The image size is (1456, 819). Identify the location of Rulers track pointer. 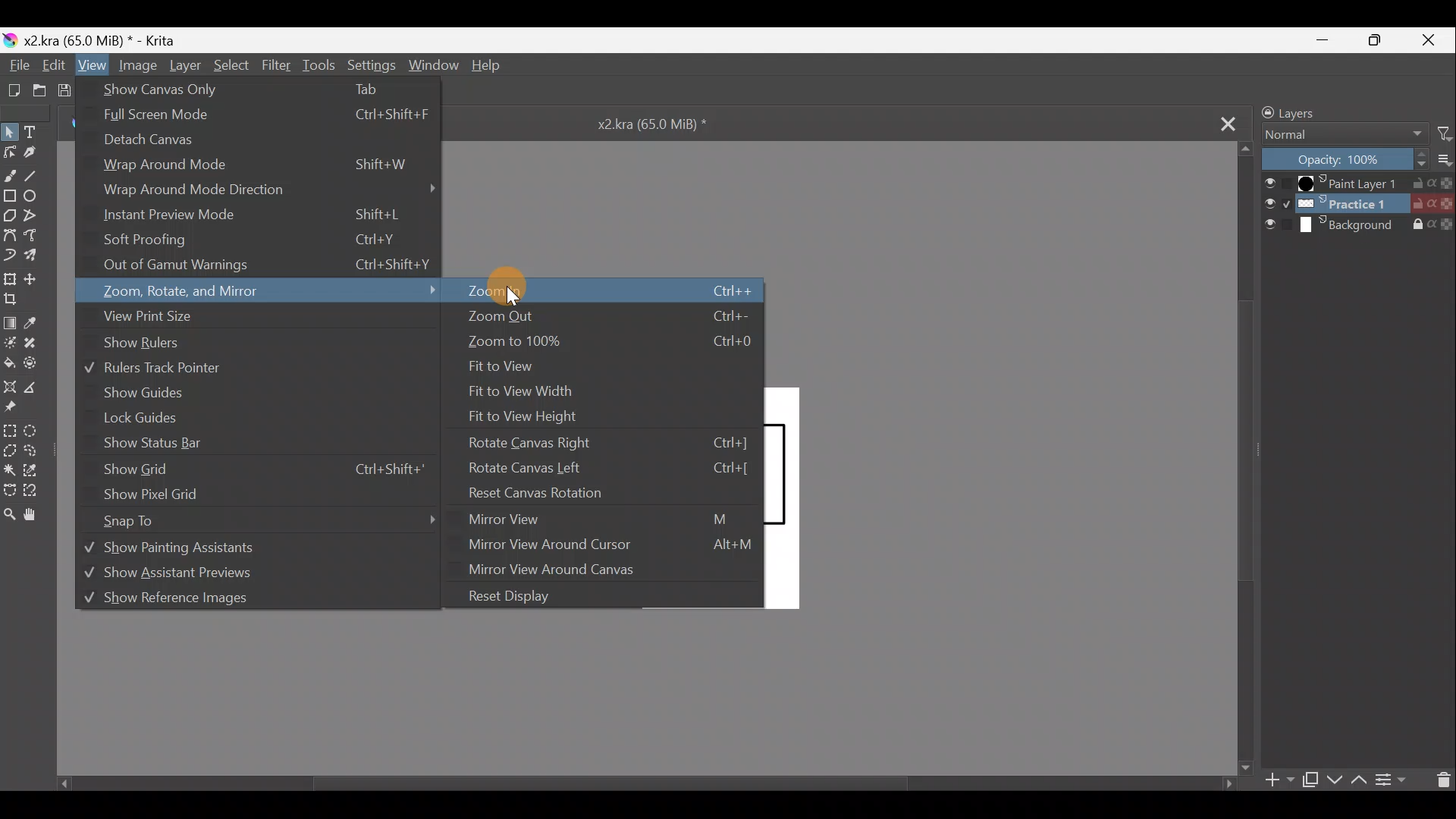
(155, 367).